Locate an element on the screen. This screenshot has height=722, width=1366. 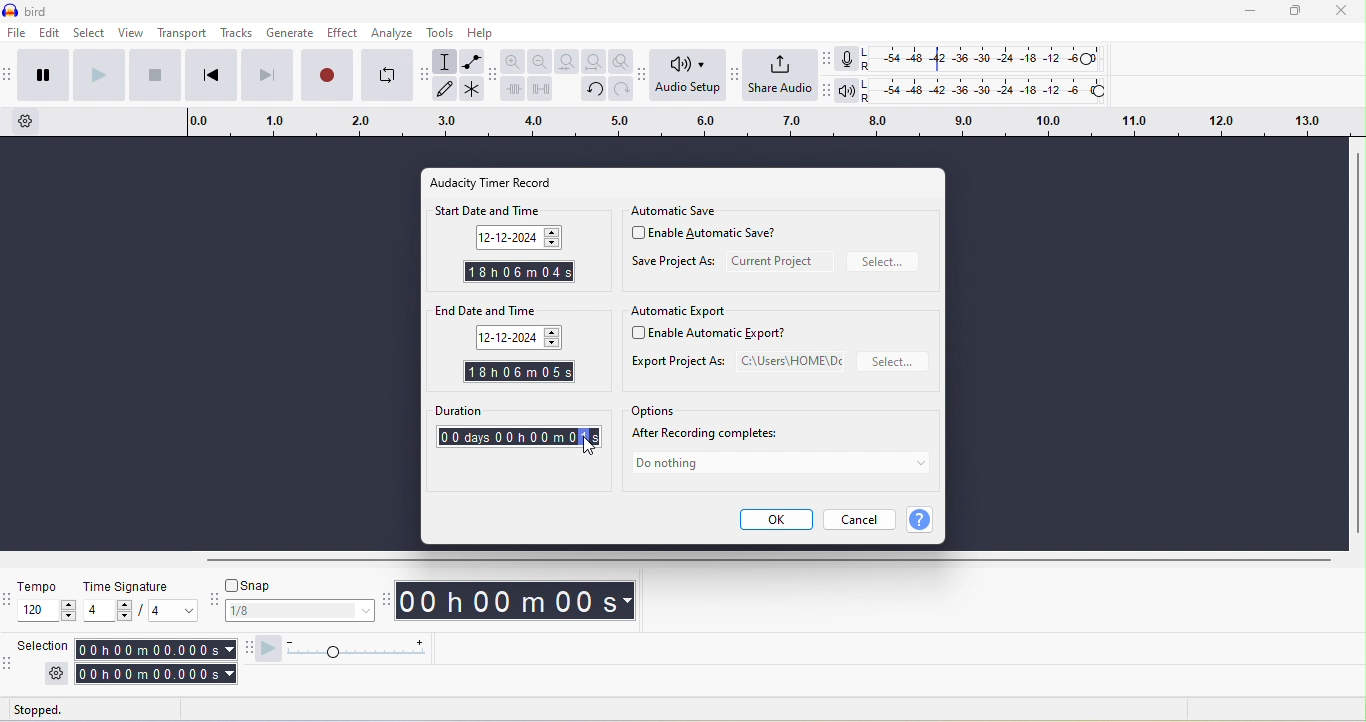
ok is located at coordinates (775, 520).